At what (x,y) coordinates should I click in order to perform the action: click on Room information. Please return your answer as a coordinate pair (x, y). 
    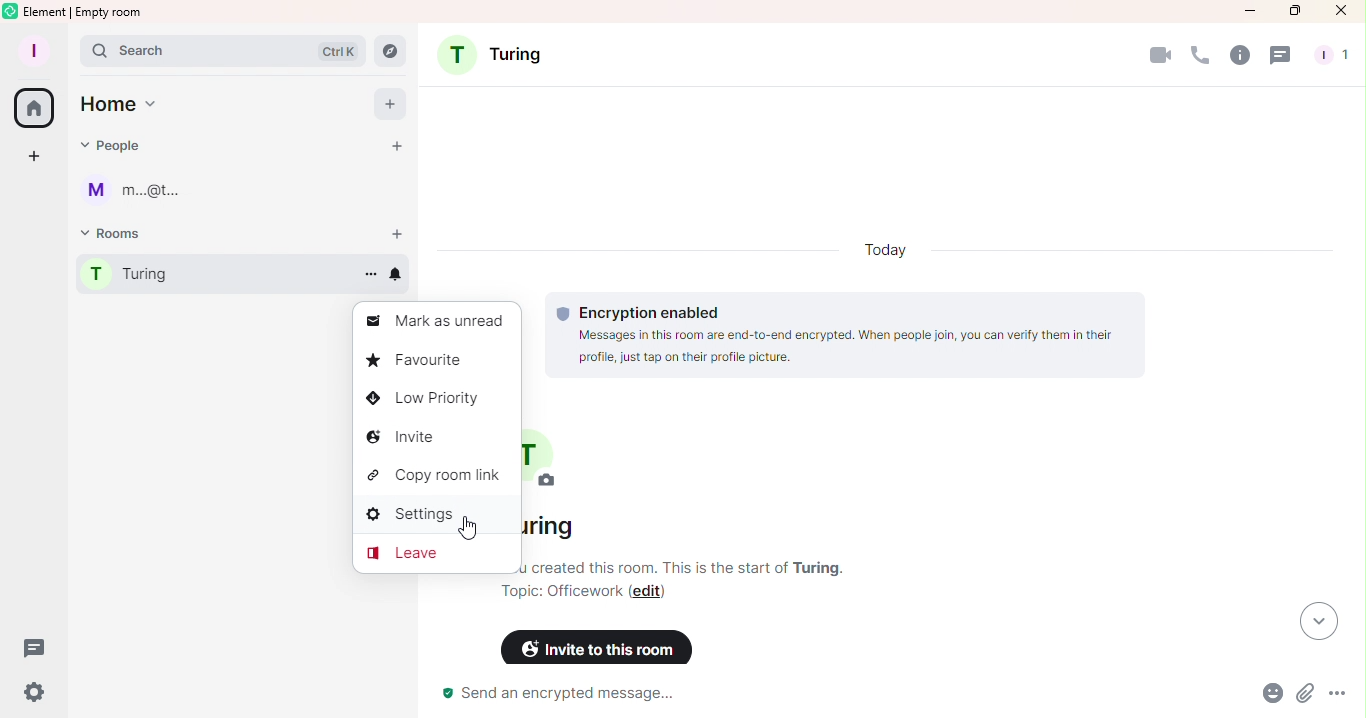
    Looking at the image, I should click on (697, 566).